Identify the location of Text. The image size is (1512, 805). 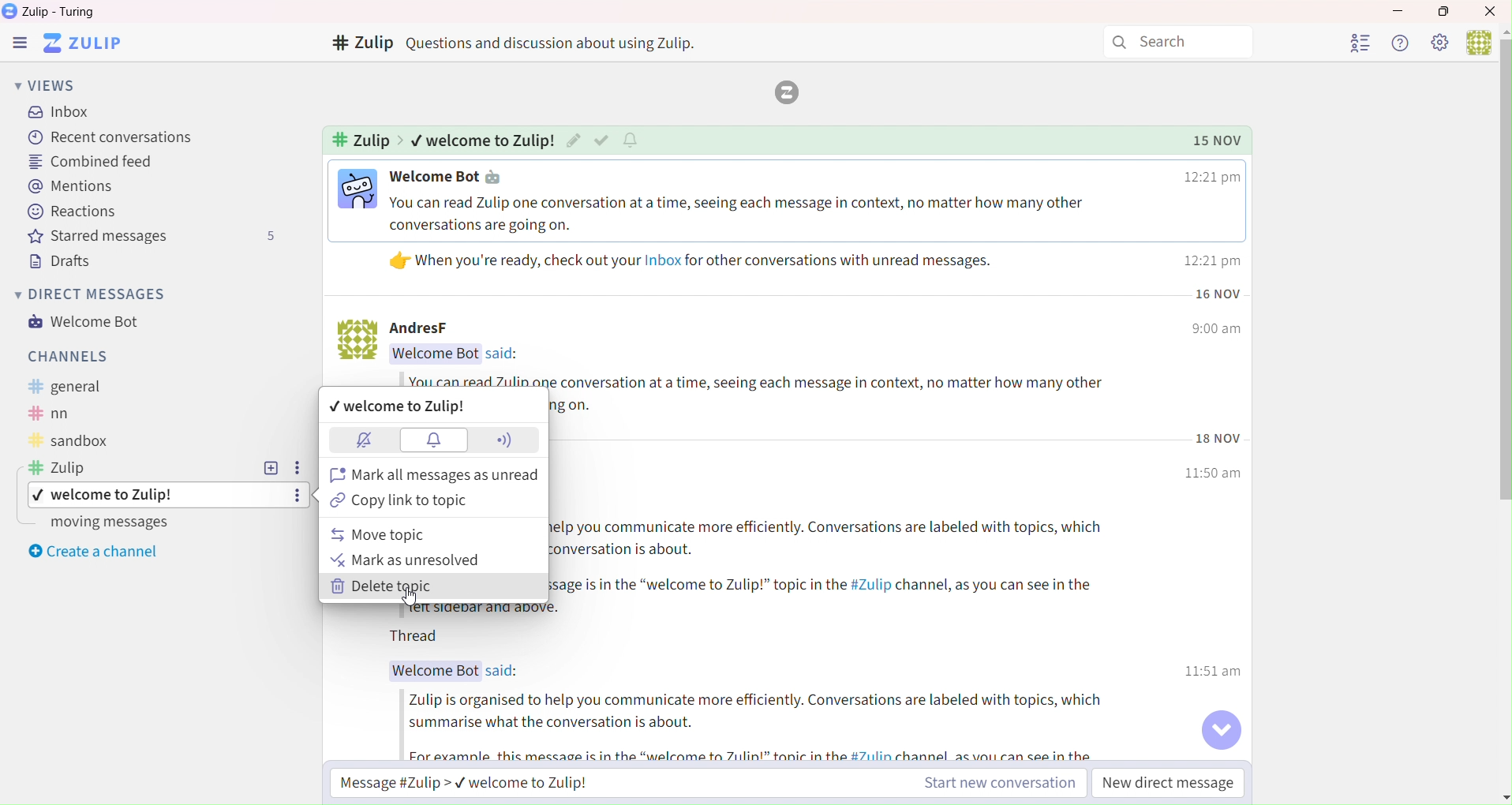
(442, 328).